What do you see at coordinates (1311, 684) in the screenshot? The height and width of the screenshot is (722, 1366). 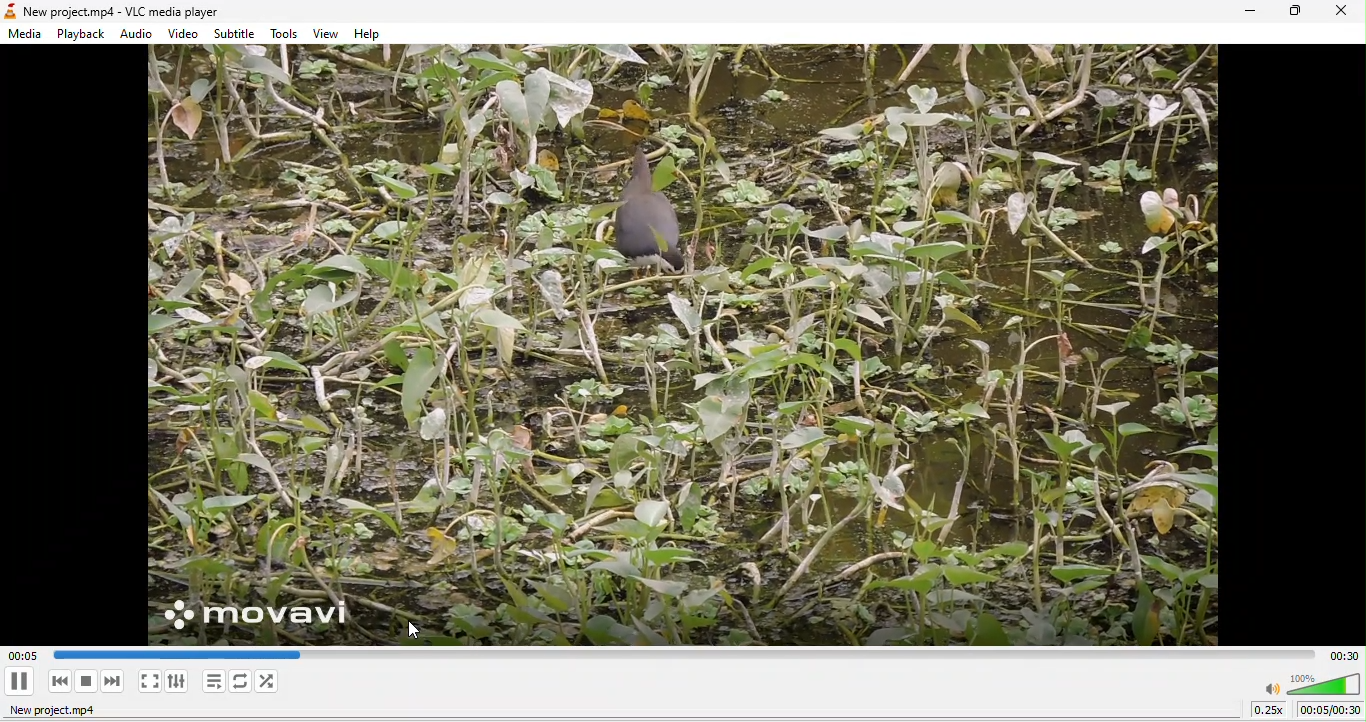 I see `speakers` at bounding box center [1311, 684].